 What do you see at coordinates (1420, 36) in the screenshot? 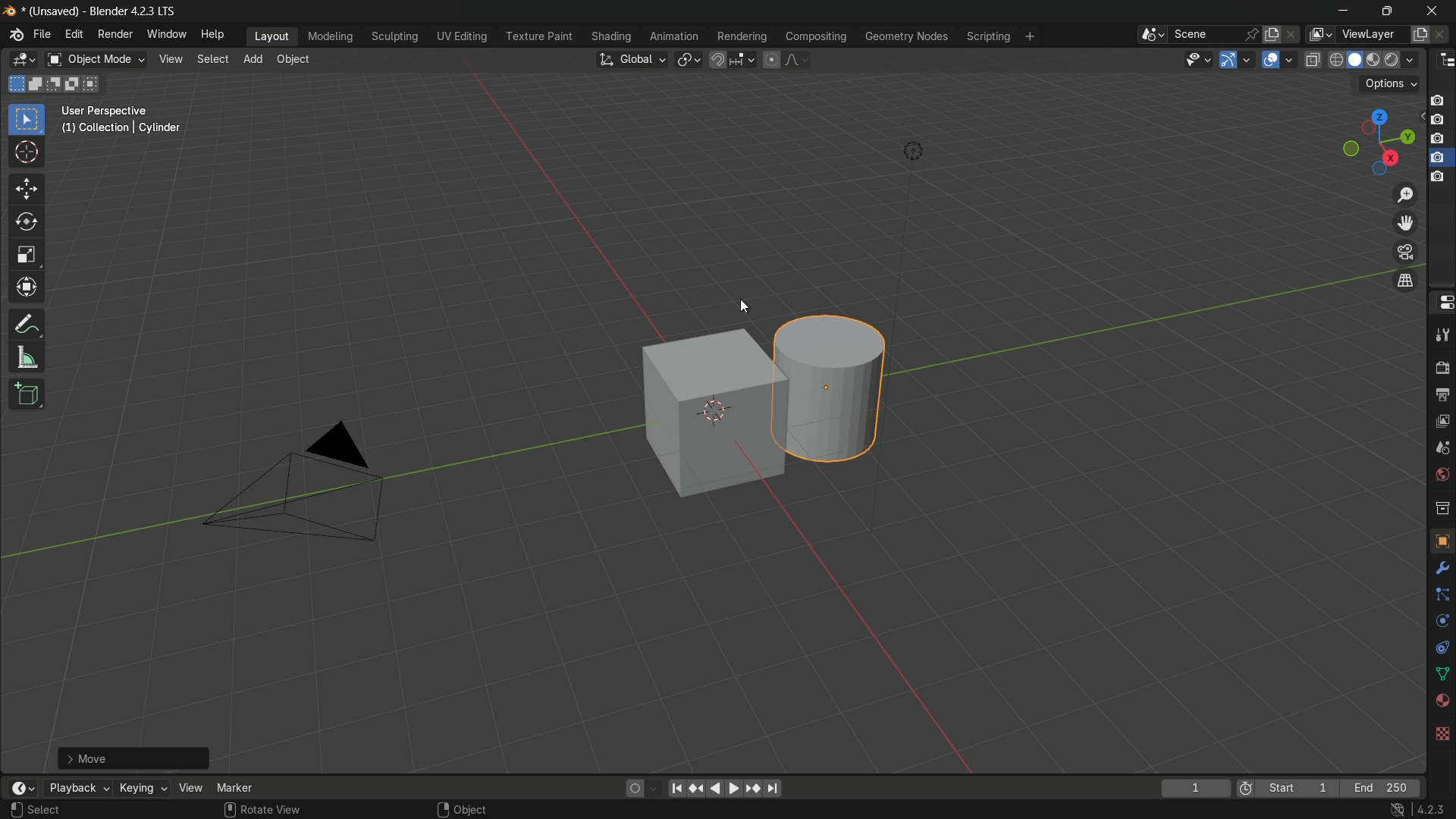
I see `add new layer` at bounding box center [1420, 36].